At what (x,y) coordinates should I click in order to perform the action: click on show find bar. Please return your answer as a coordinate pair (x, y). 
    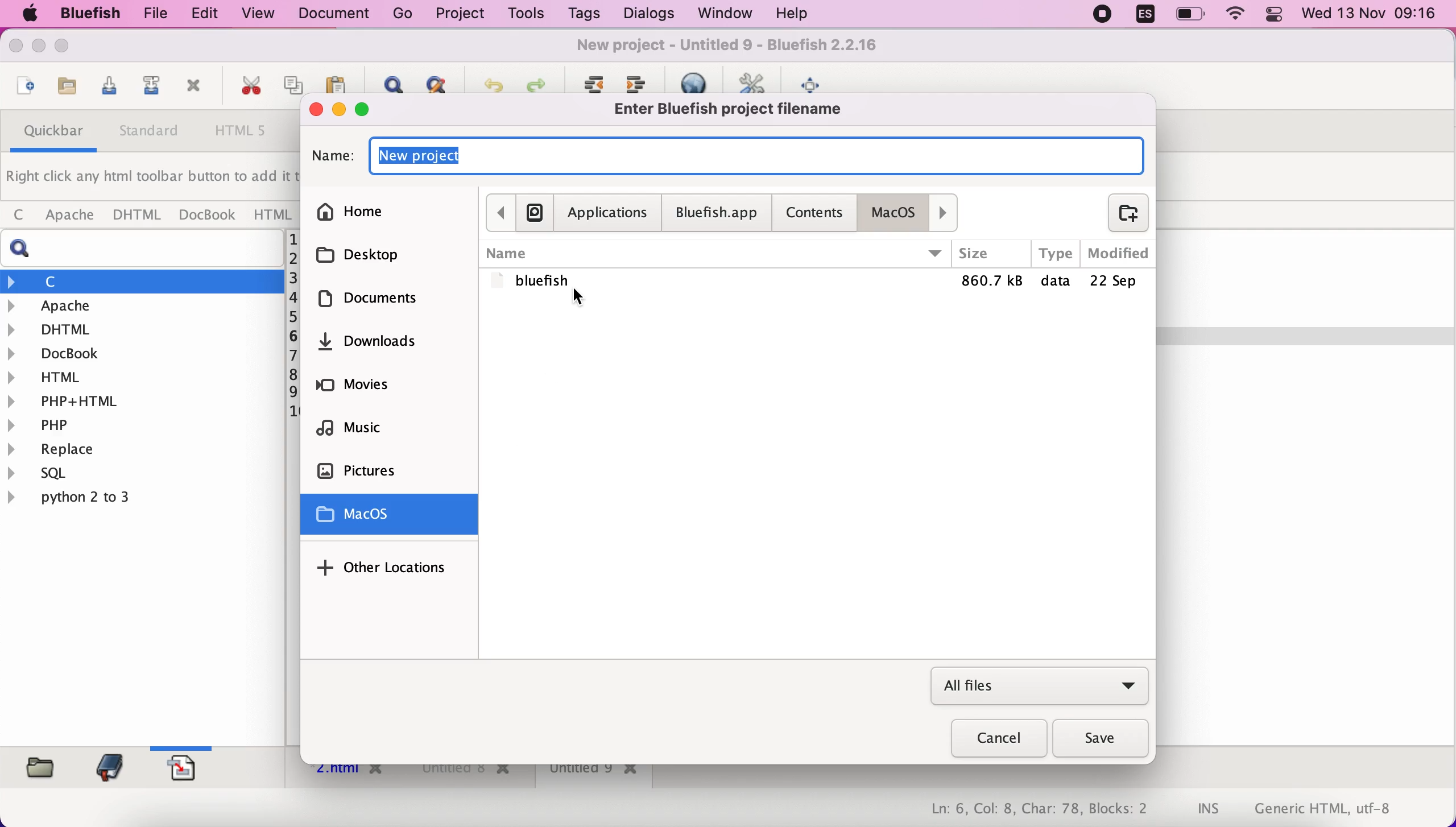
    Looking at the image, I should click on (388, 81).